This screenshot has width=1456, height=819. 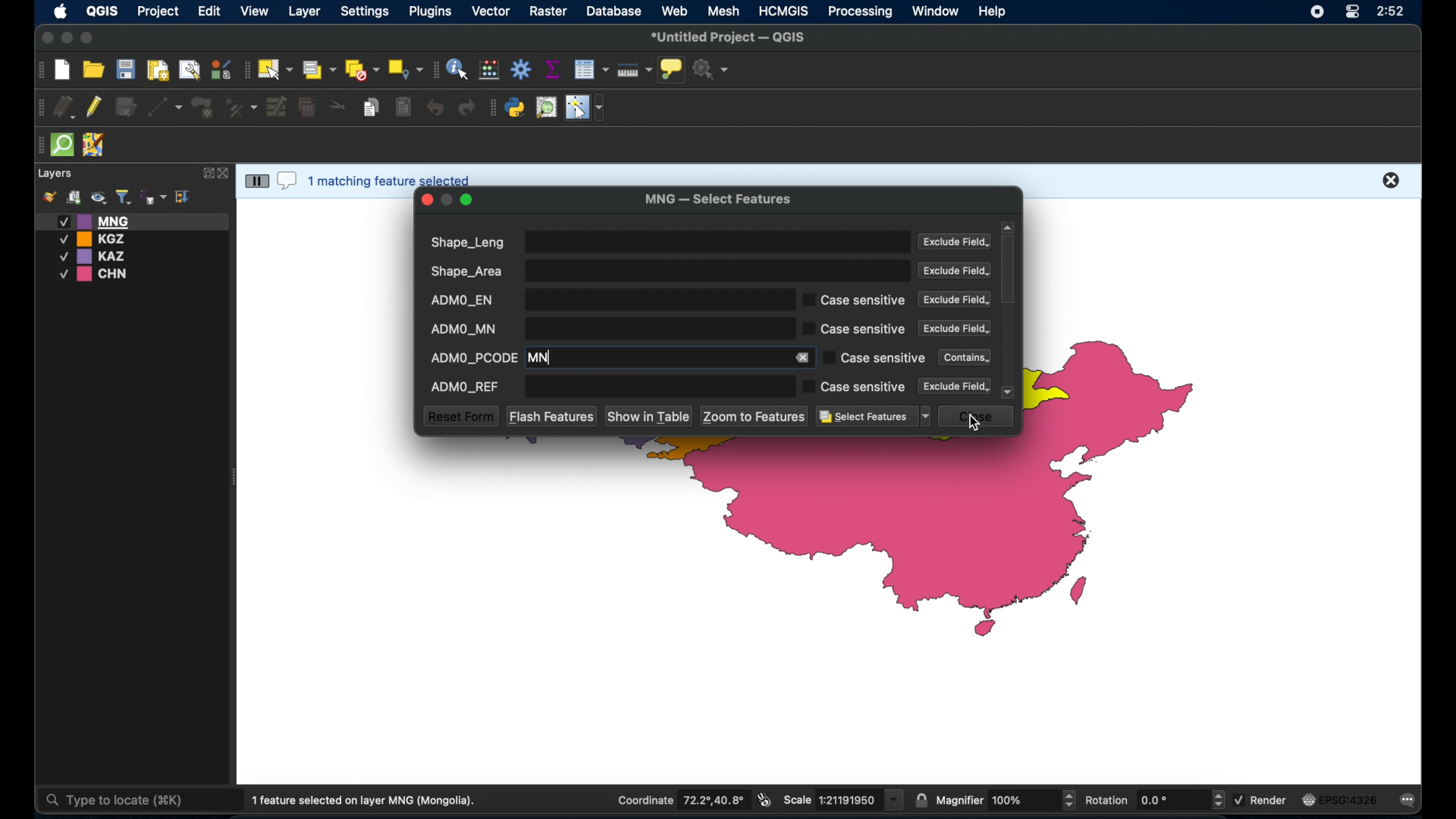 What do you see at coordinates (469, 201) in the screenshot?
I see `maximize` at bounding box center [469, 201].